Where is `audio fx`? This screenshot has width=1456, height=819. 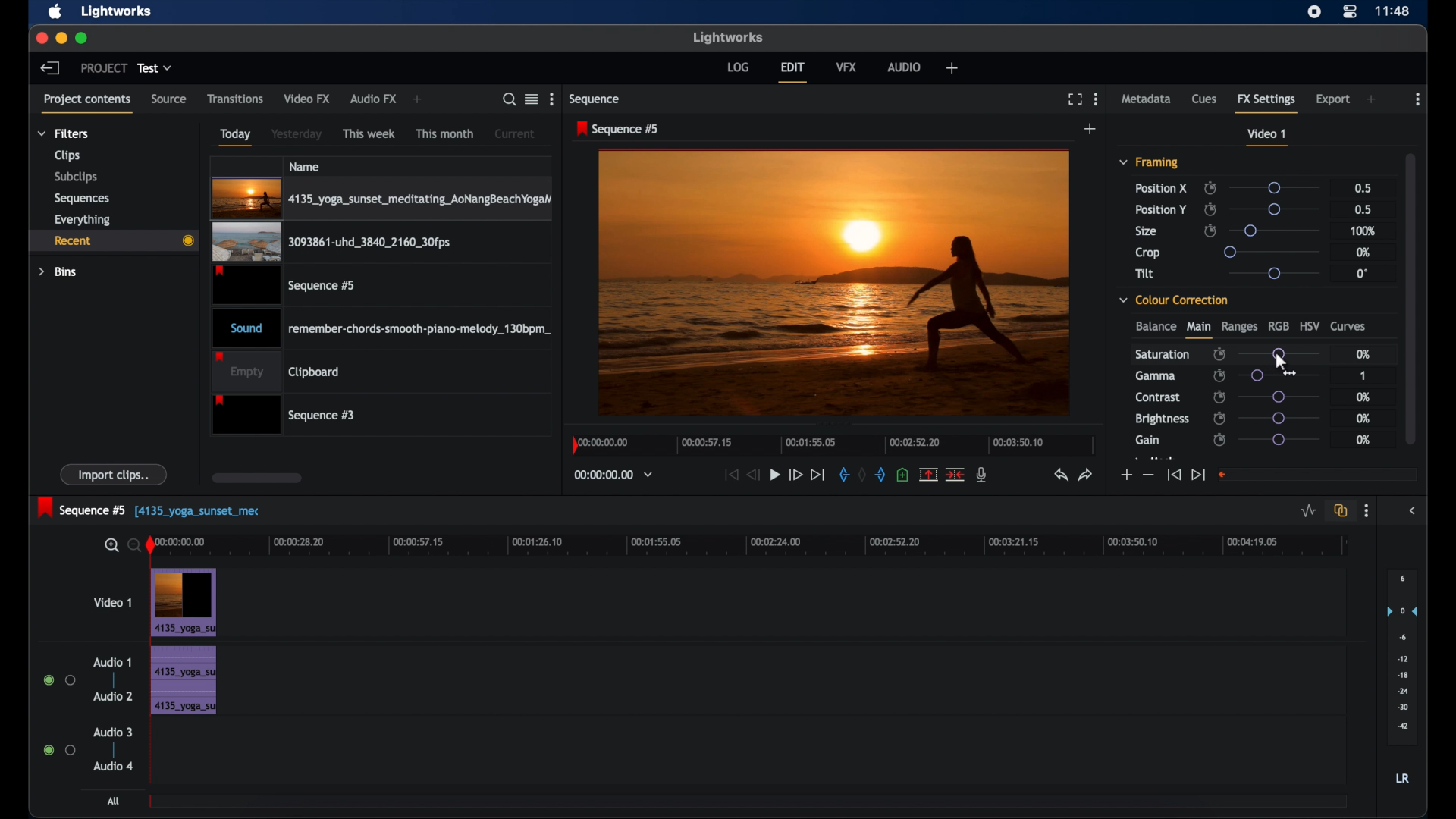
audio fx is located at coordinates (373, 99).